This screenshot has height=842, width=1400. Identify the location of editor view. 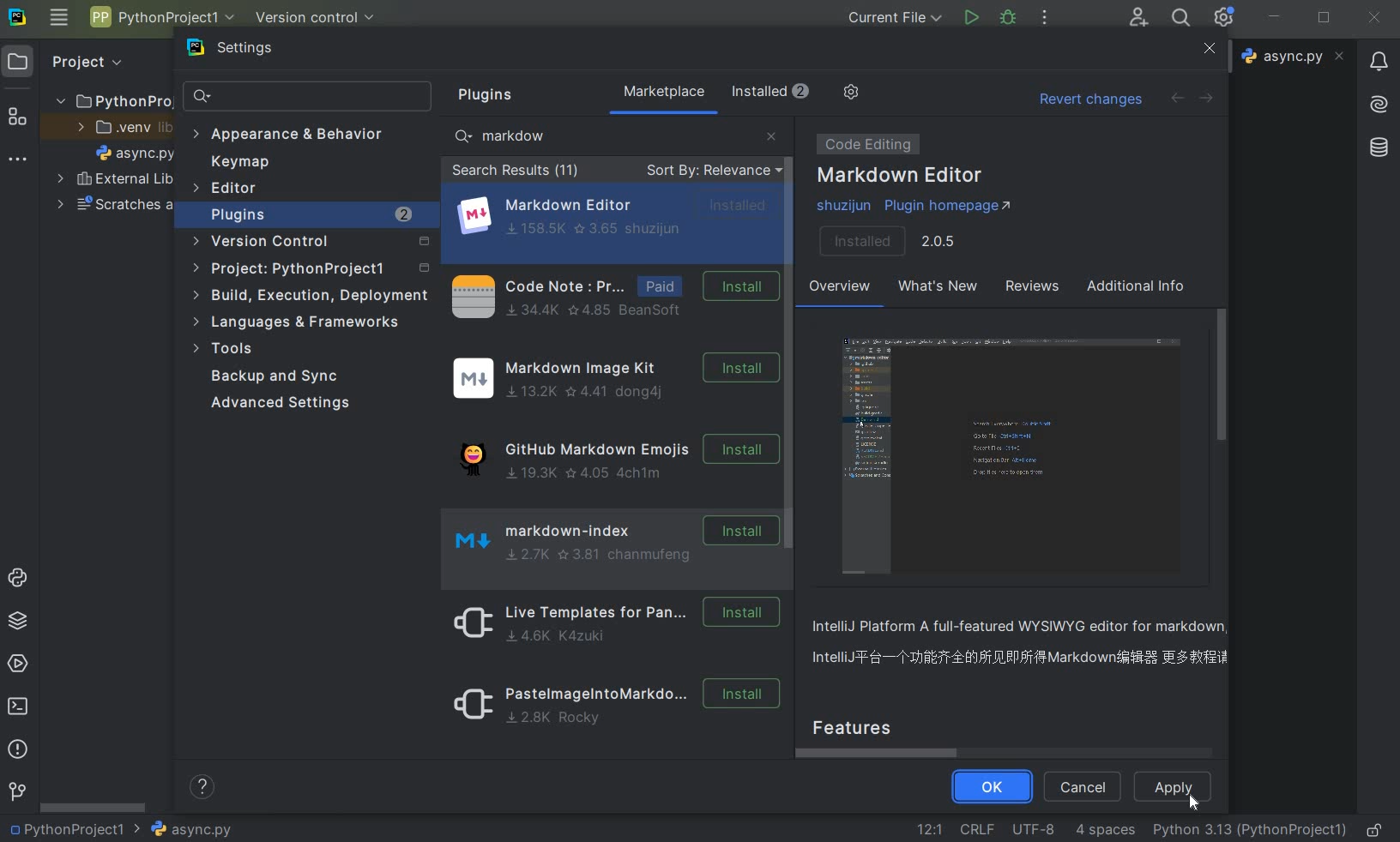
(1016, 457).